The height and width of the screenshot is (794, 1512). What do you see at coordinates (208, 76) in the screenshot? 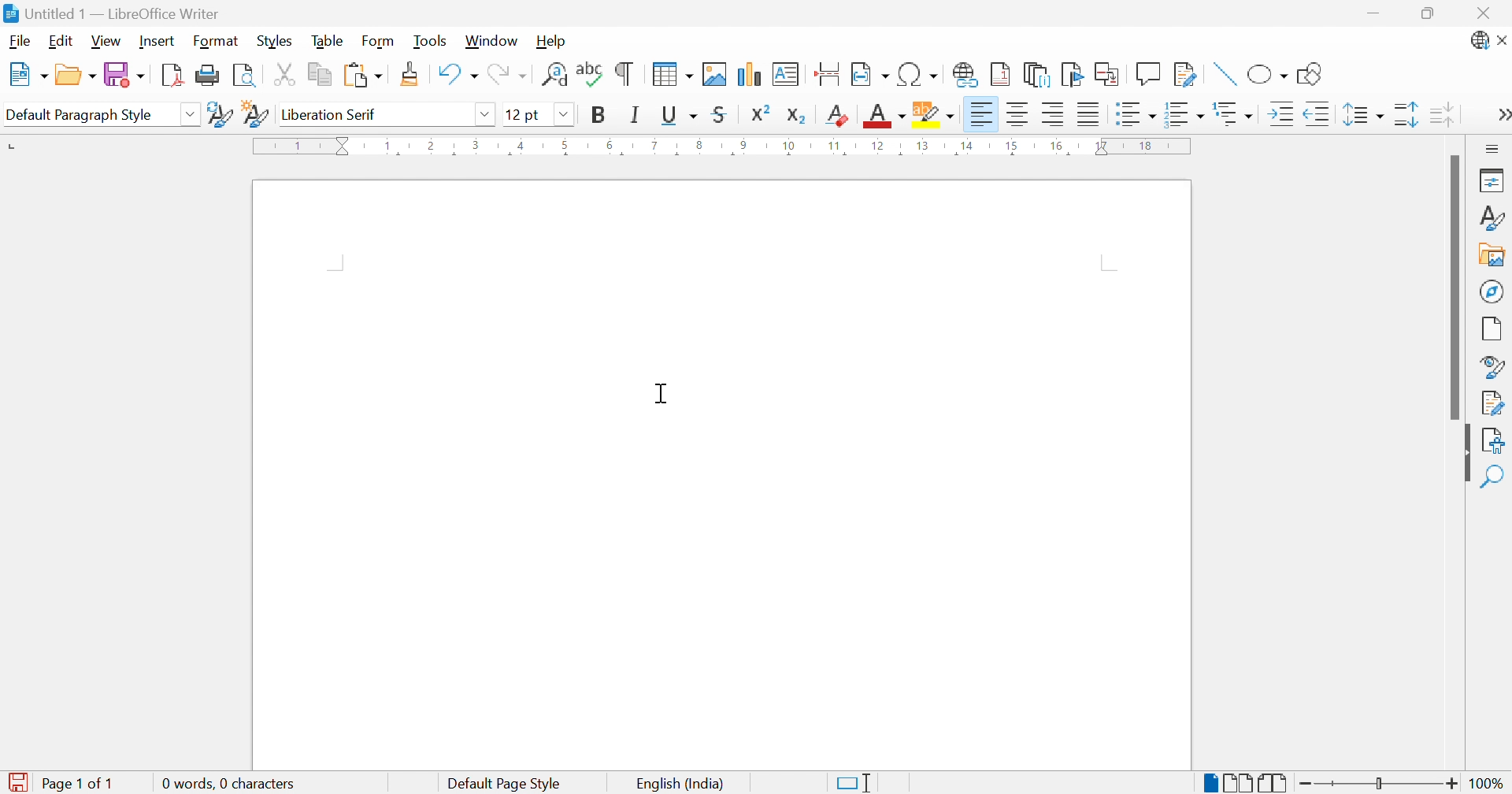
I see `Print` at bounding box center [208, 76].